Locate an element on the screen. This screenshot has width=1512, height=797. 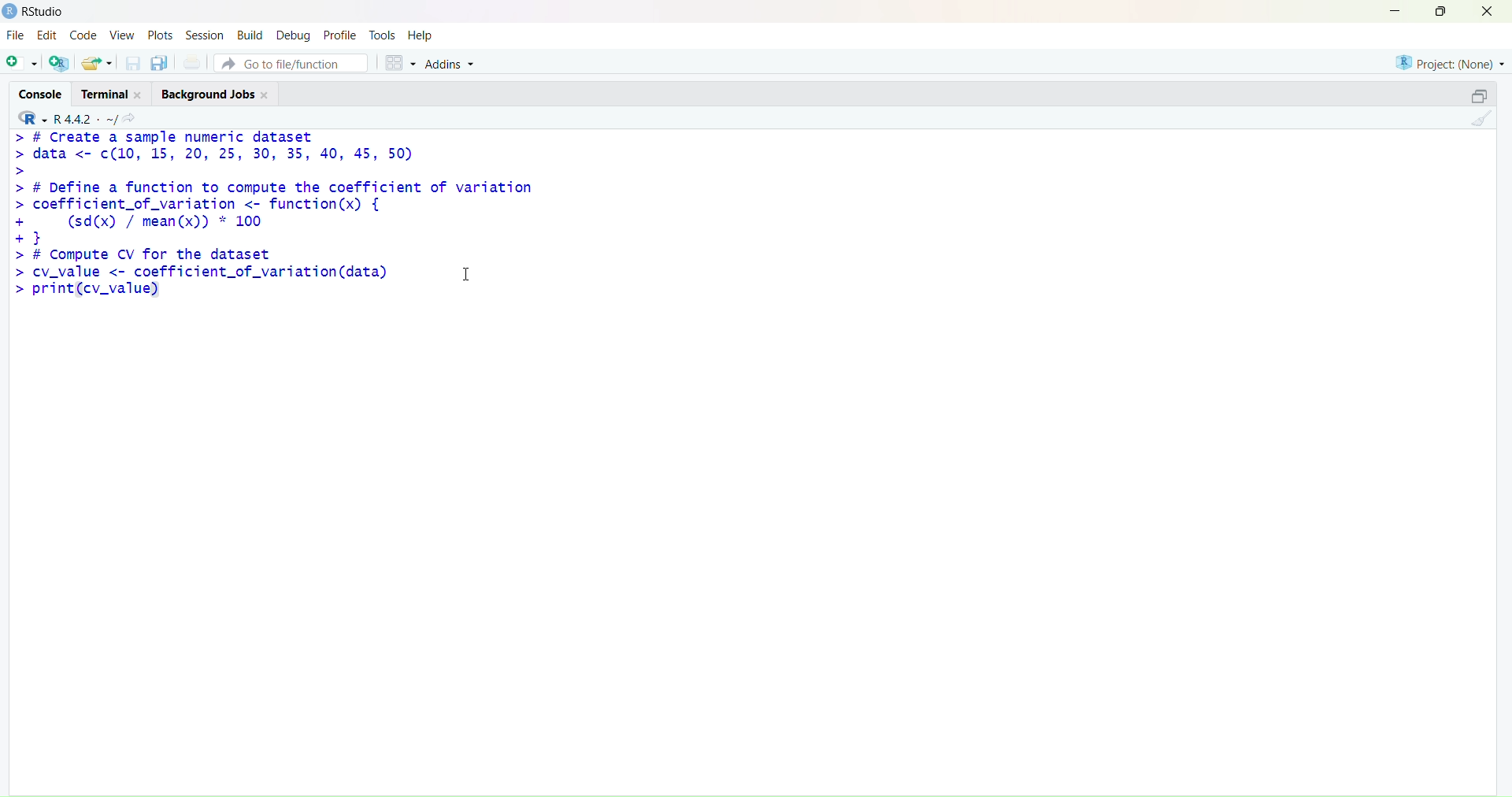
close is located at coordinates (1487, 11).